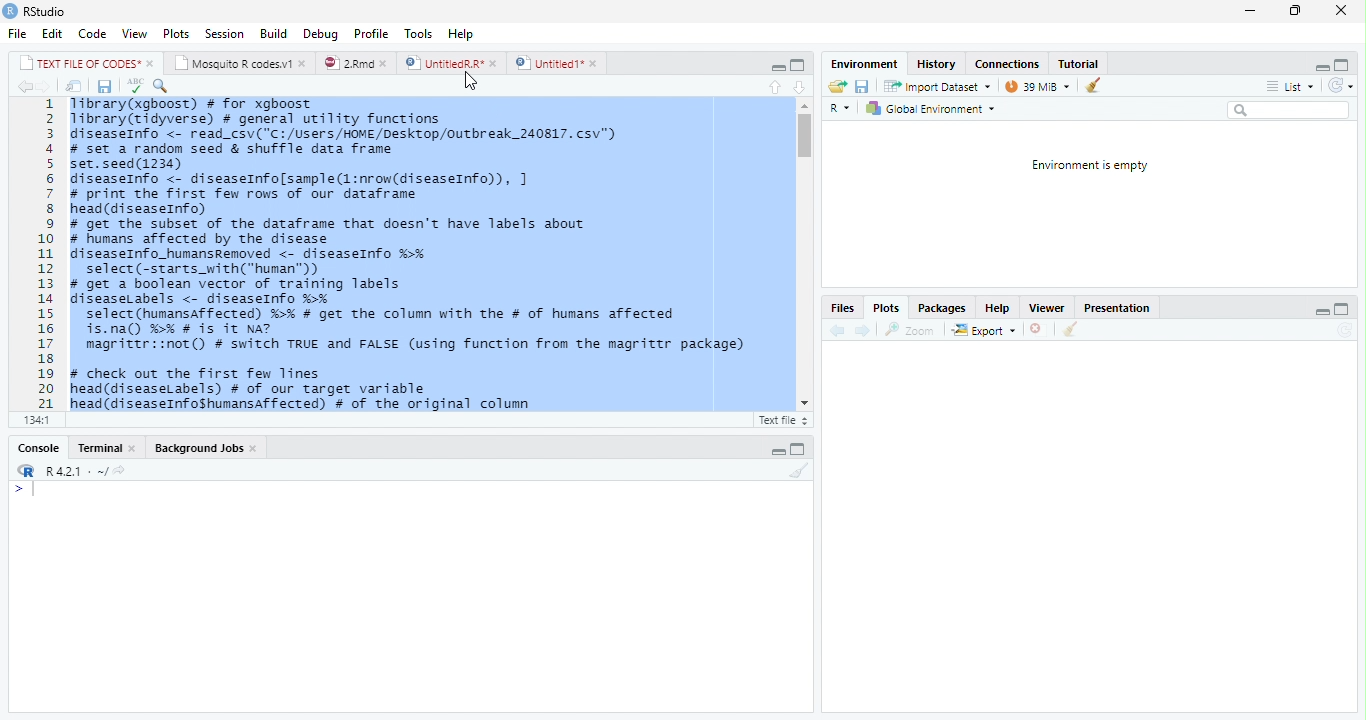 The width and height of the screenshot is (1366, 720). Describe the element at coordinates (1288, 110) in the screenshot. I see `Search` at that location.